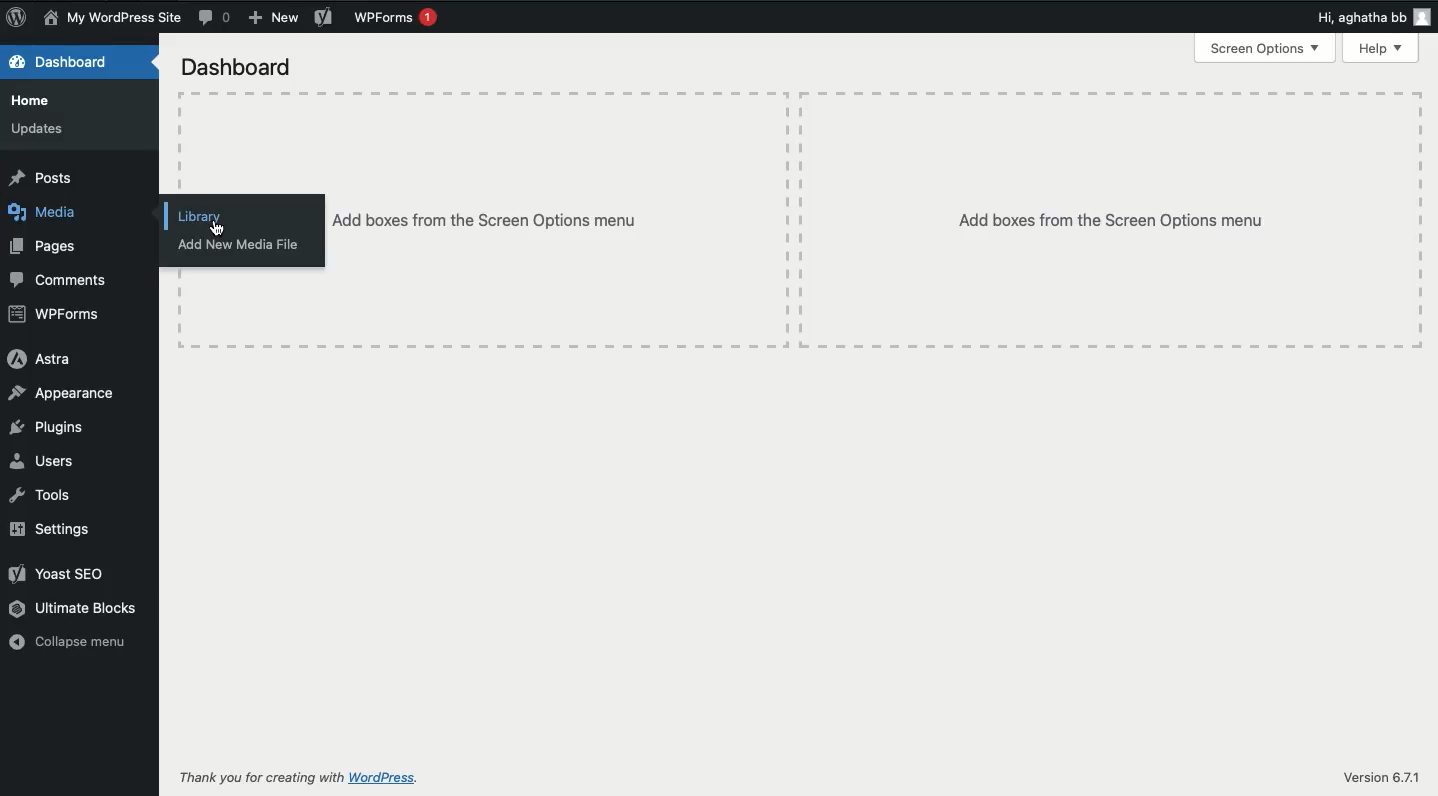  What do you see at coordinates (236, 66) in the screenshot?
I see `Dashboard` at bounding box center [236, 66].